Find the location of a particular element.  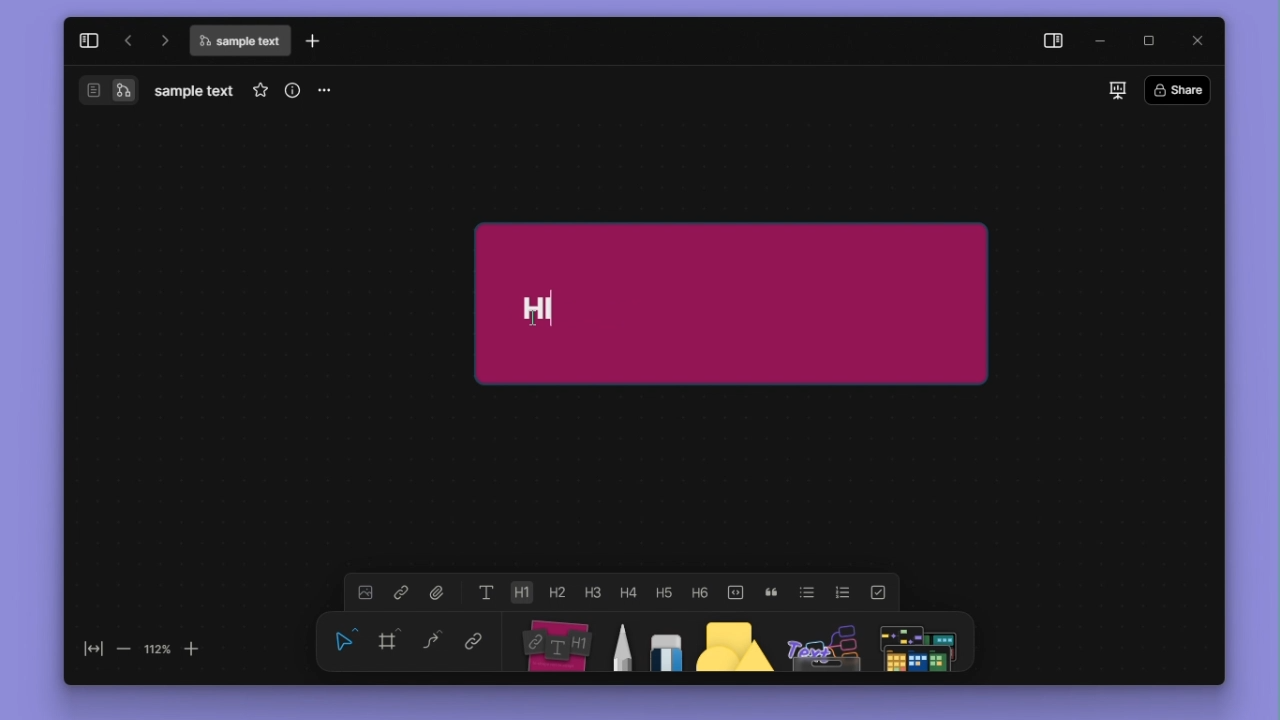

image is located at coordinates (365, 592).